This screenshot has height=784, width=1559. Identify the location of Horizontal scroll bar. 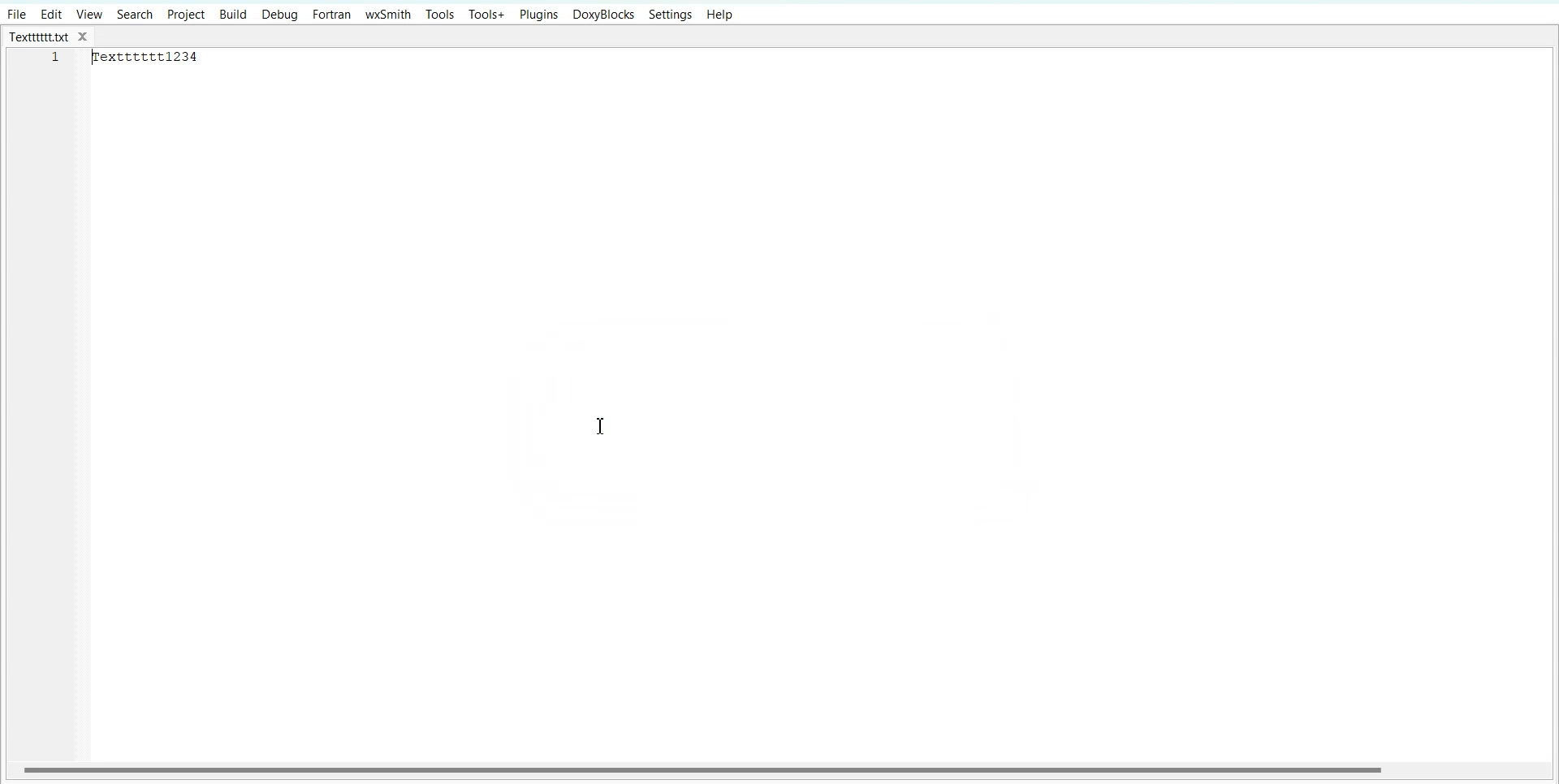
(705, 769).